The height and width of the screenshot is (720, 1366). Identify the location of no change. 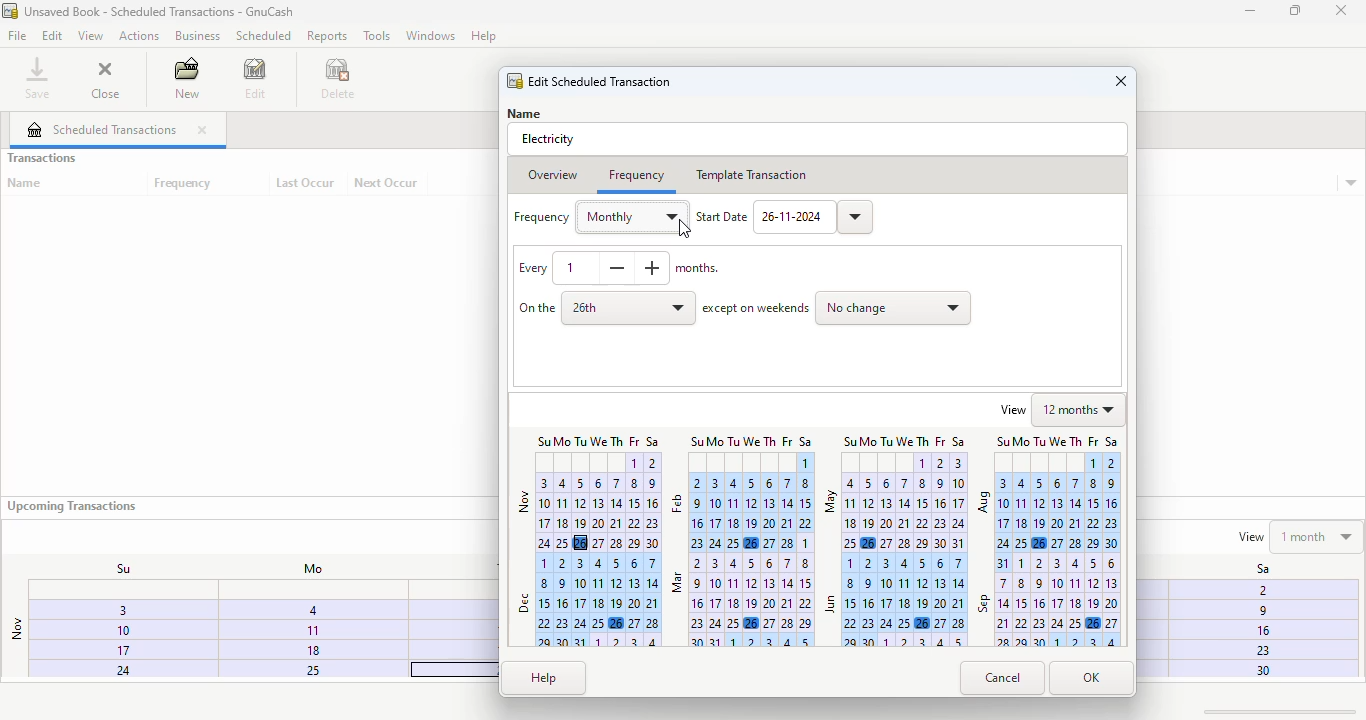
(894, 309).